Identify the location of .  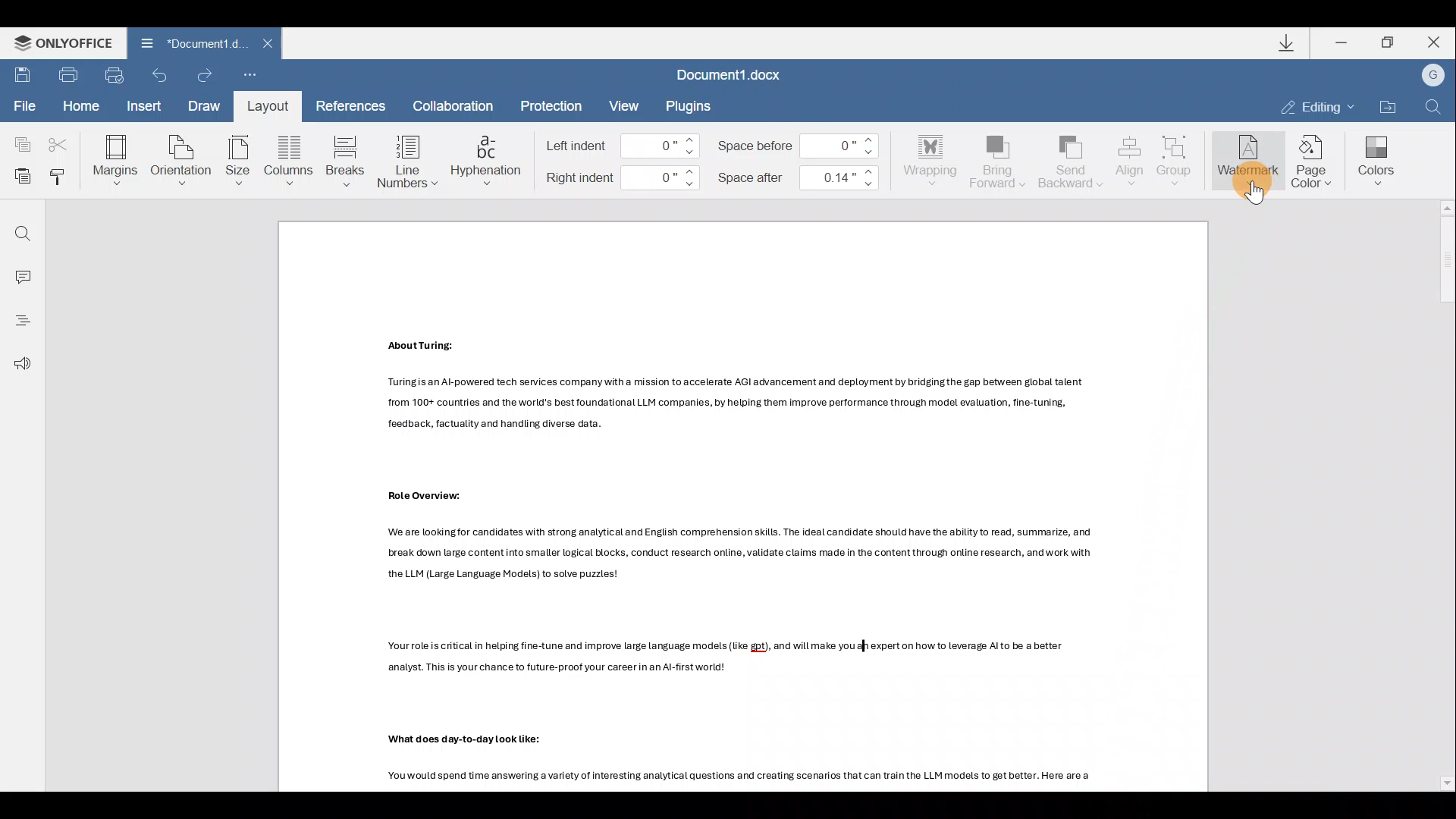
(418, 347).